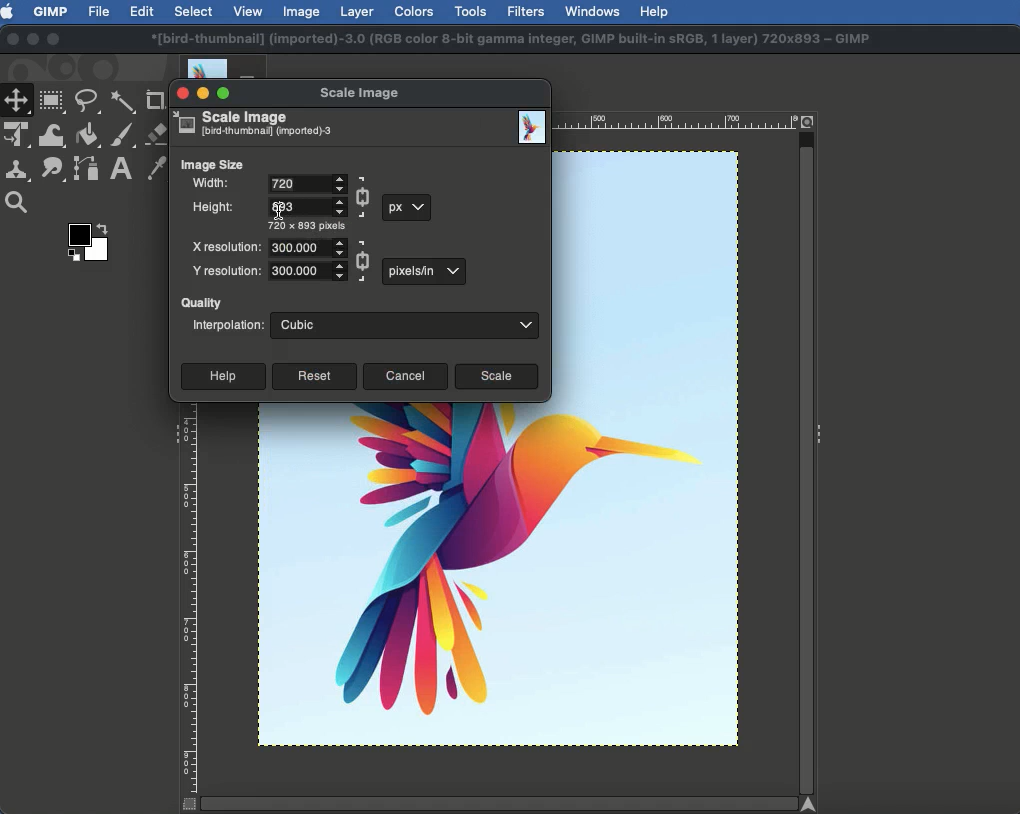 Image resolution: width=1020 pixels, height=814 pixels. Describe the element at coordinates (141, 11) in the screenshot. I see `Edit` at that location.